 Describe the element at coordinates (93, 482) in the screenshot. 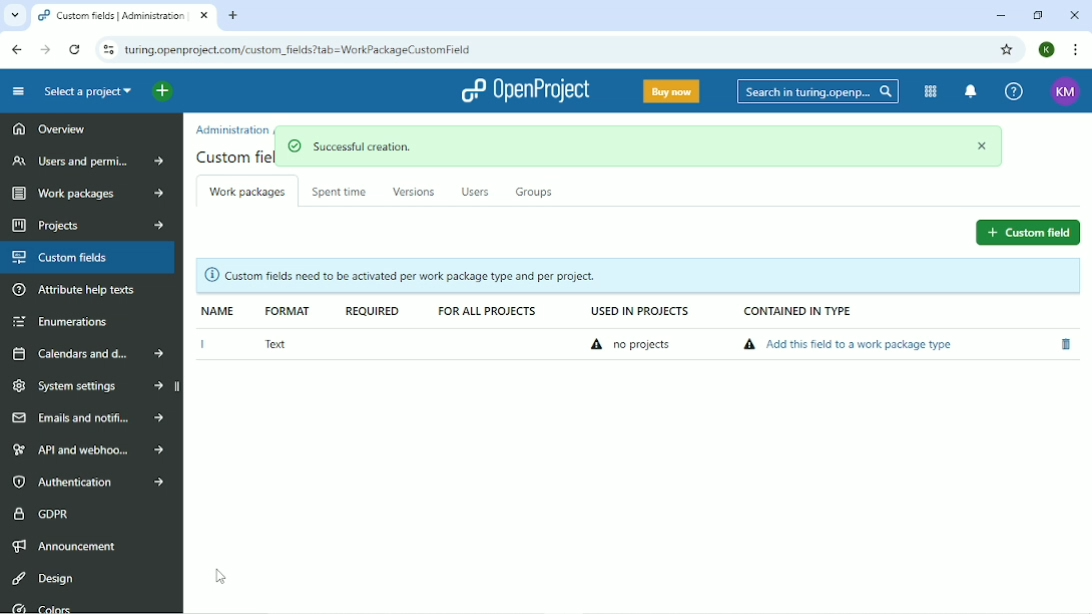

I see `Authentication` at that location.